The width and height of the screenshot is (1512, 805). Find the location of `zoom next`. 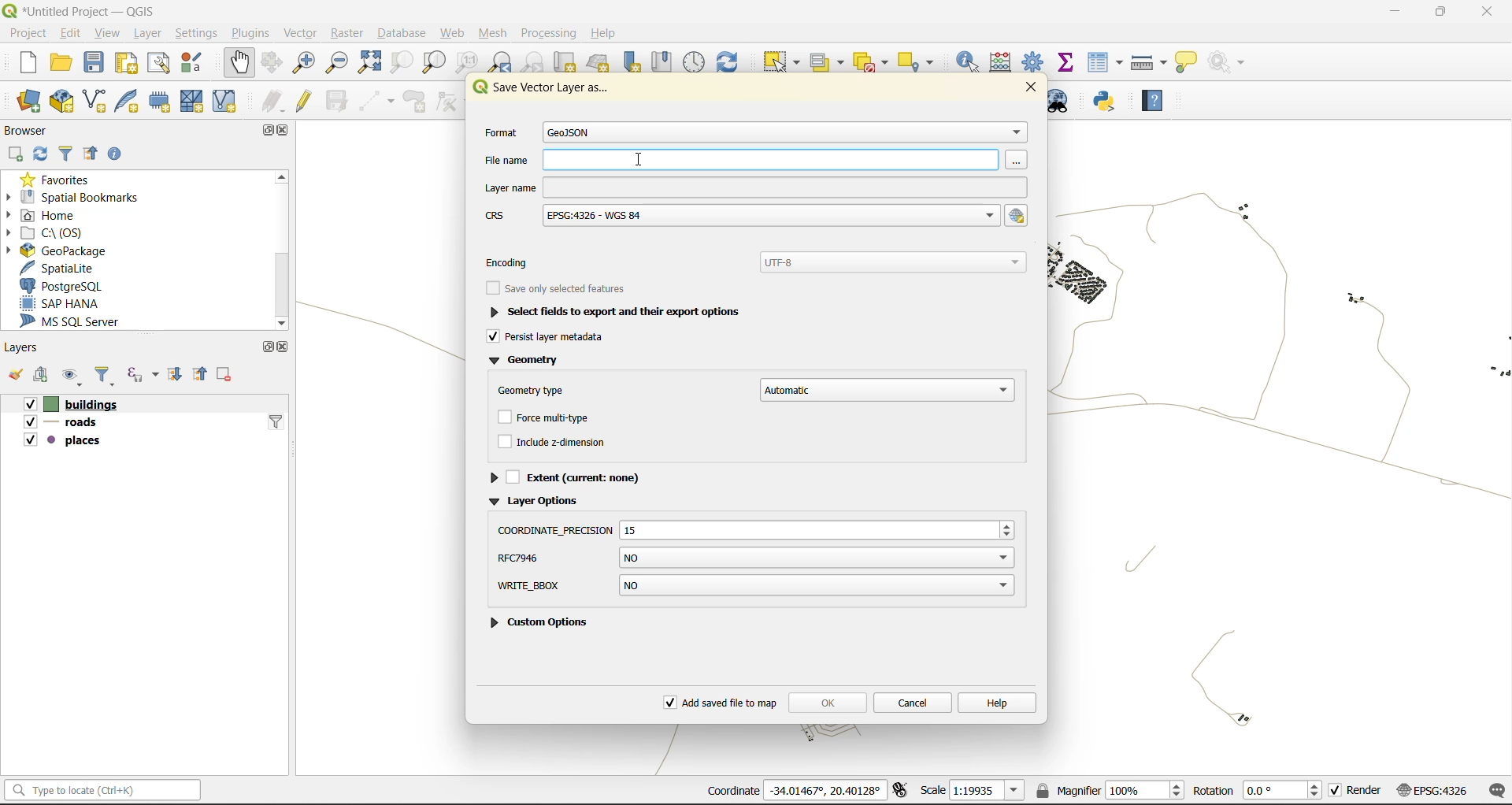

zoom next is located at coordinates (537, 62).